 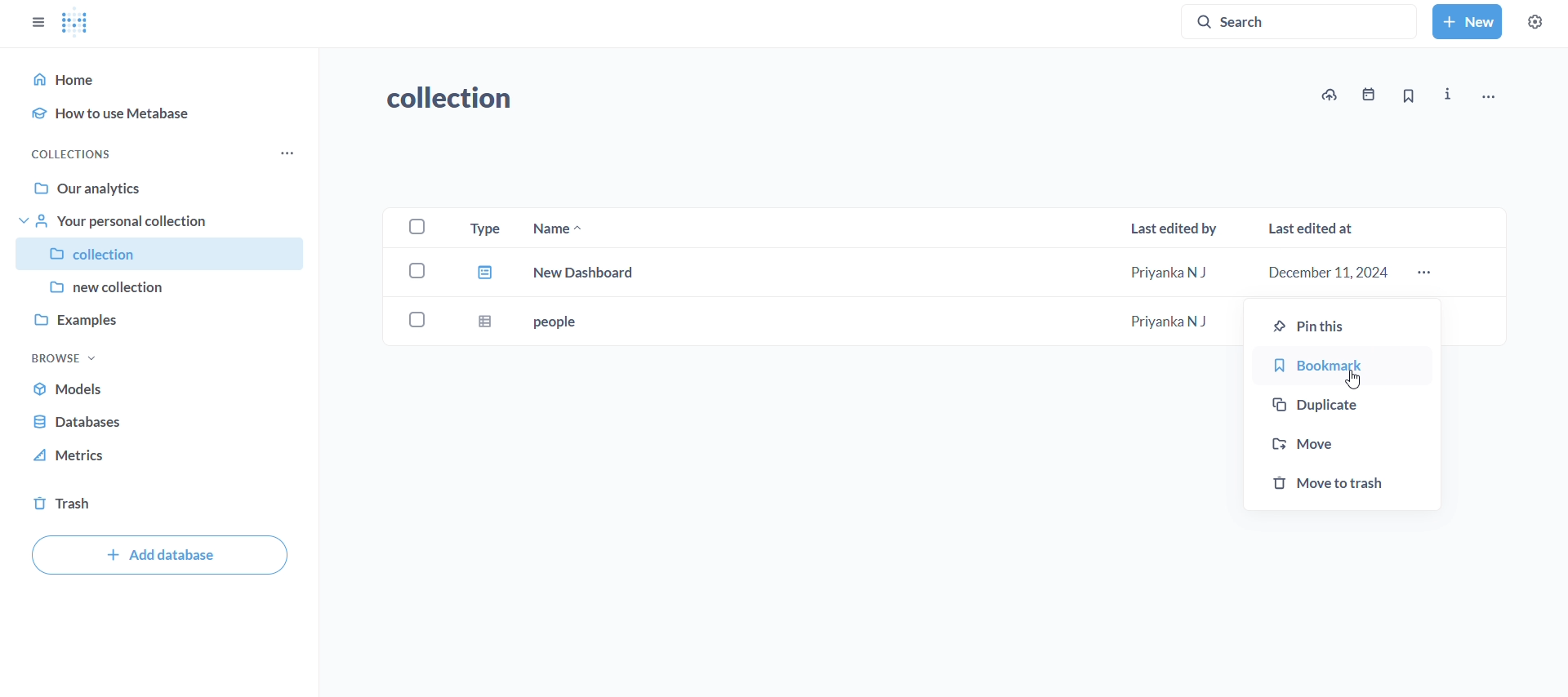 What do you see at coordinates (167, 114) in the screenshot?
I see `how to use metabase` at bounding box center [167, 114].